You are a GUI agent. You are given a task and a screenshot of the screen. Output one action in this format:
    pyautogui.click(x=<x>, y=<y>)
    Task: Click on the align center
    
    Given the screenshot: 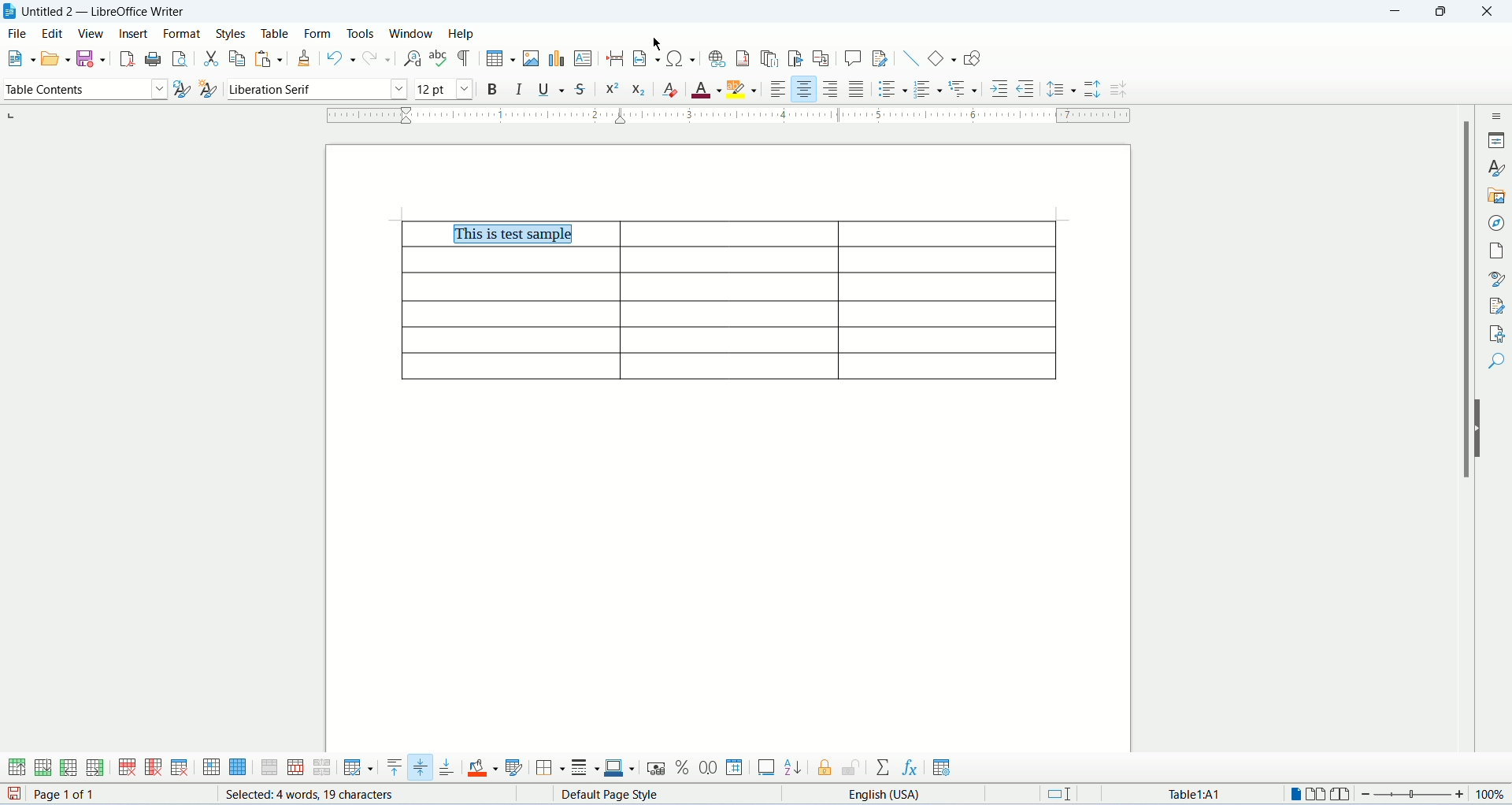 What is the action you would take?
    pyautogui.click(x=807, y=89)
    